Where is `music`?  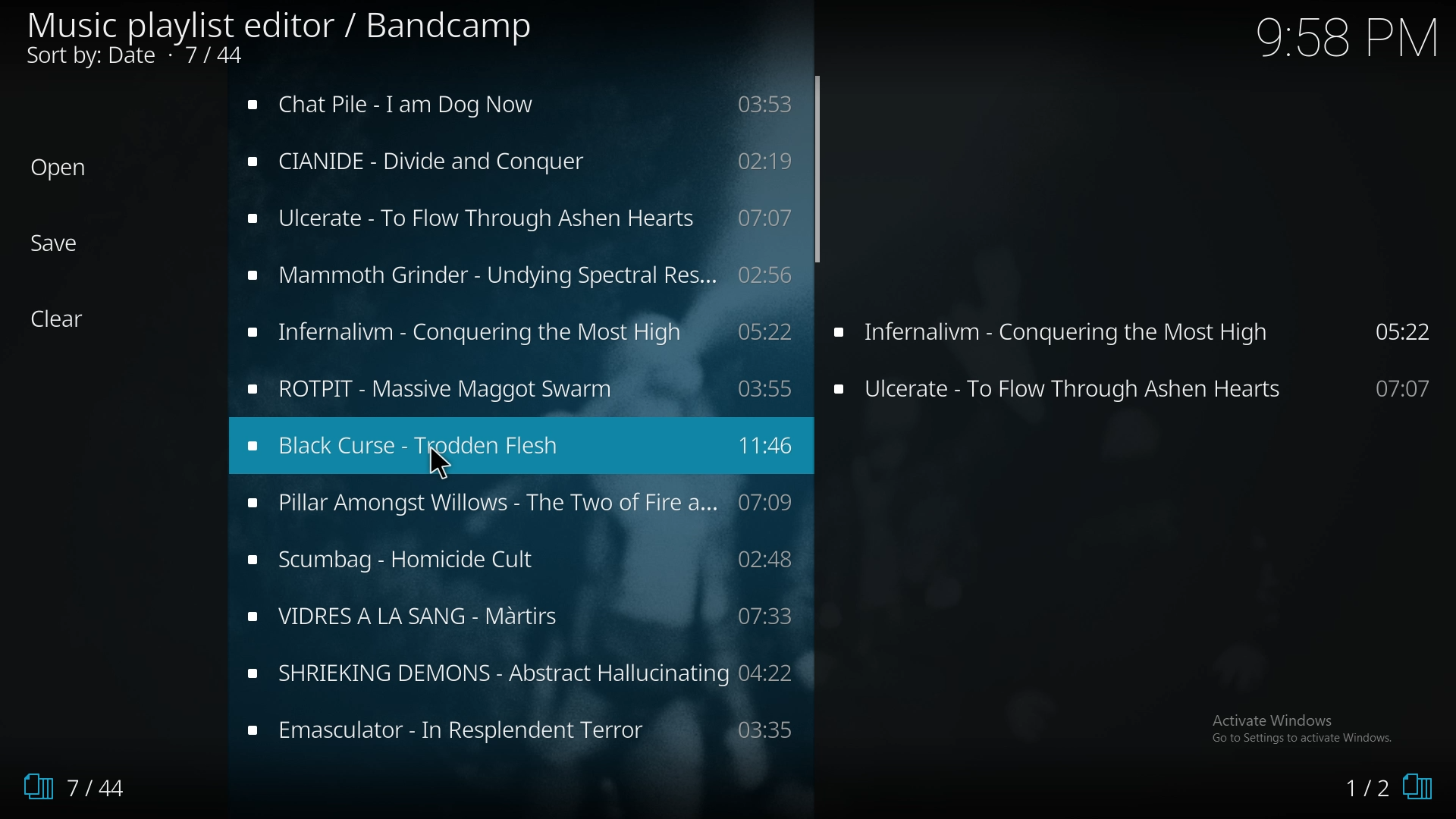 music is located at coordinates (521, 218).